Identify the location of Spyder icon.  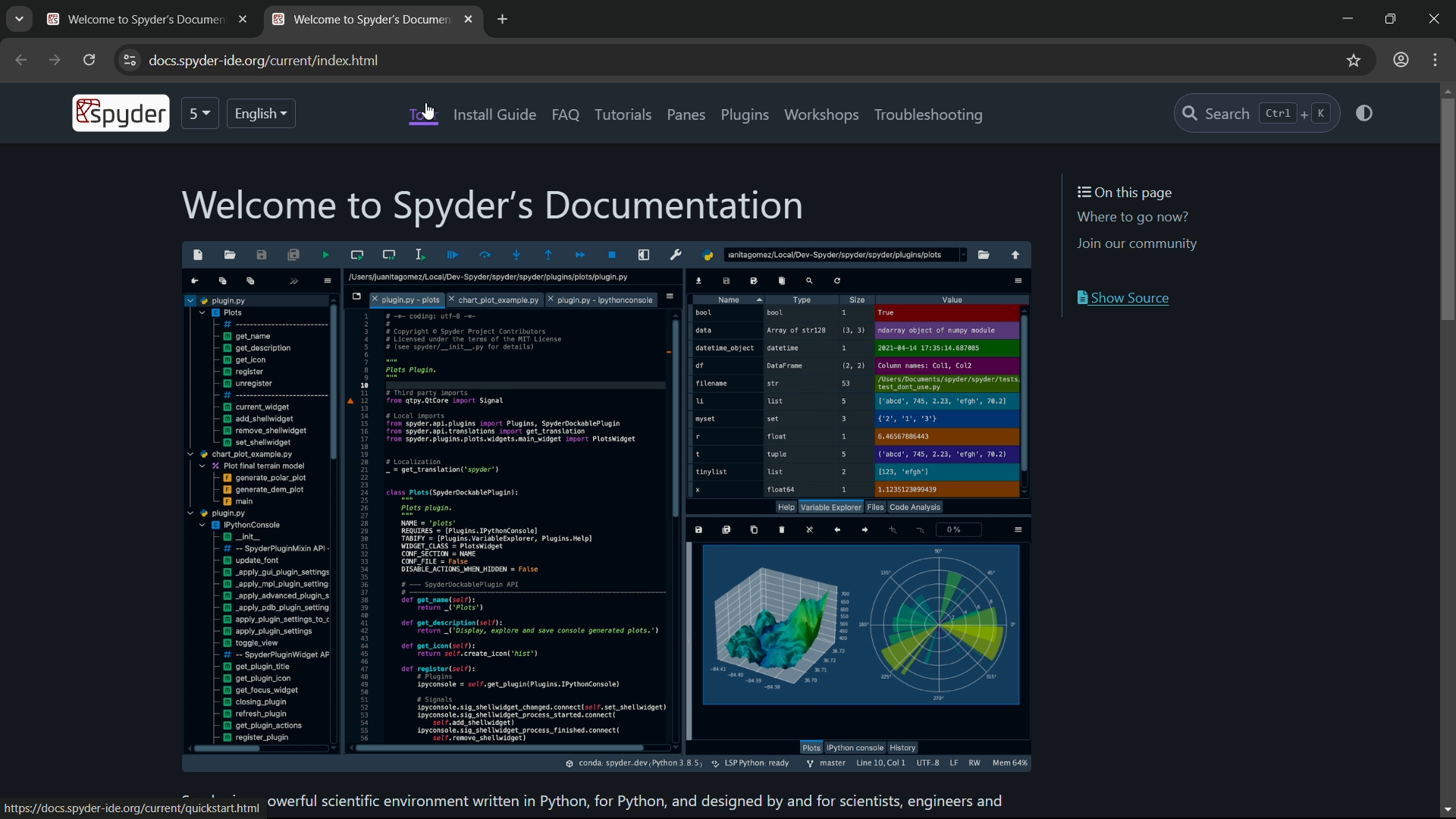
(122, 114).